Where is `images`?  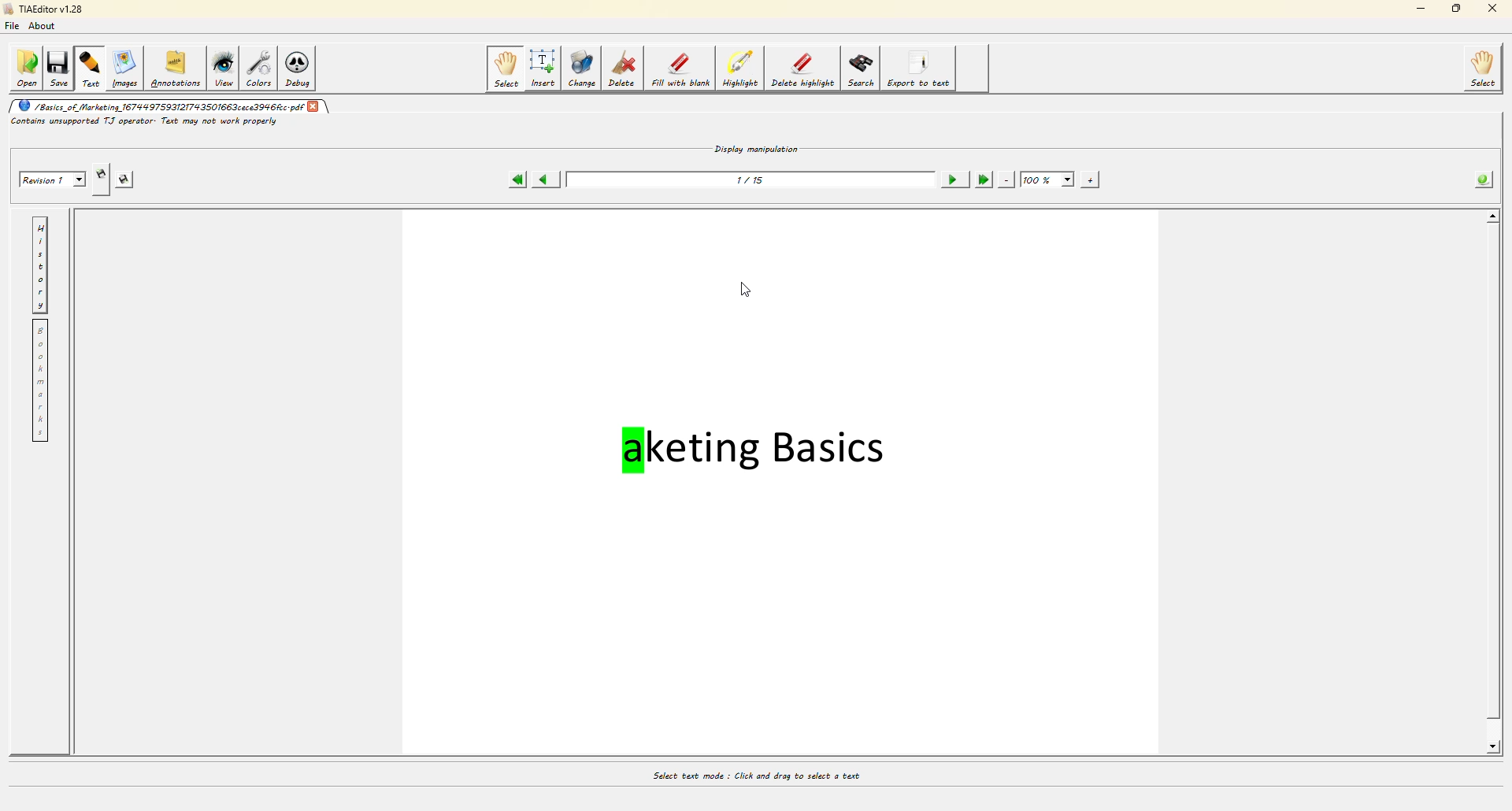
images is located at coordinates (128, 71).